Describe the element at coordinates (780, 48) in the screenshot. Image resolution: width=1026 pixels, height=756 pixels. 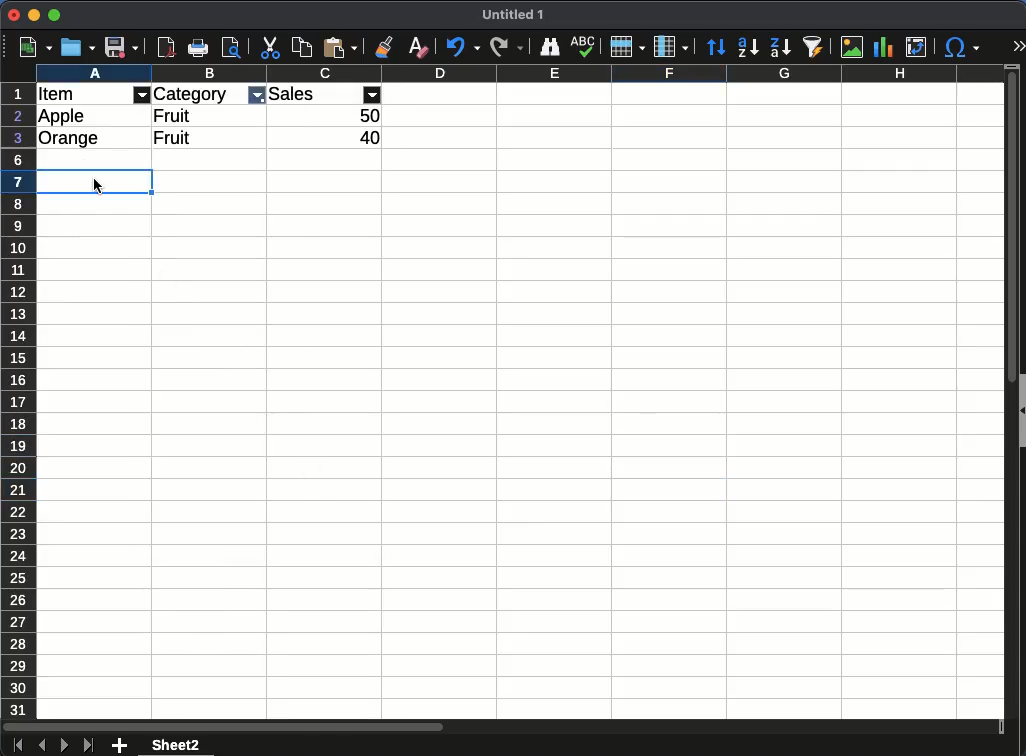
I see `descending` at that location.